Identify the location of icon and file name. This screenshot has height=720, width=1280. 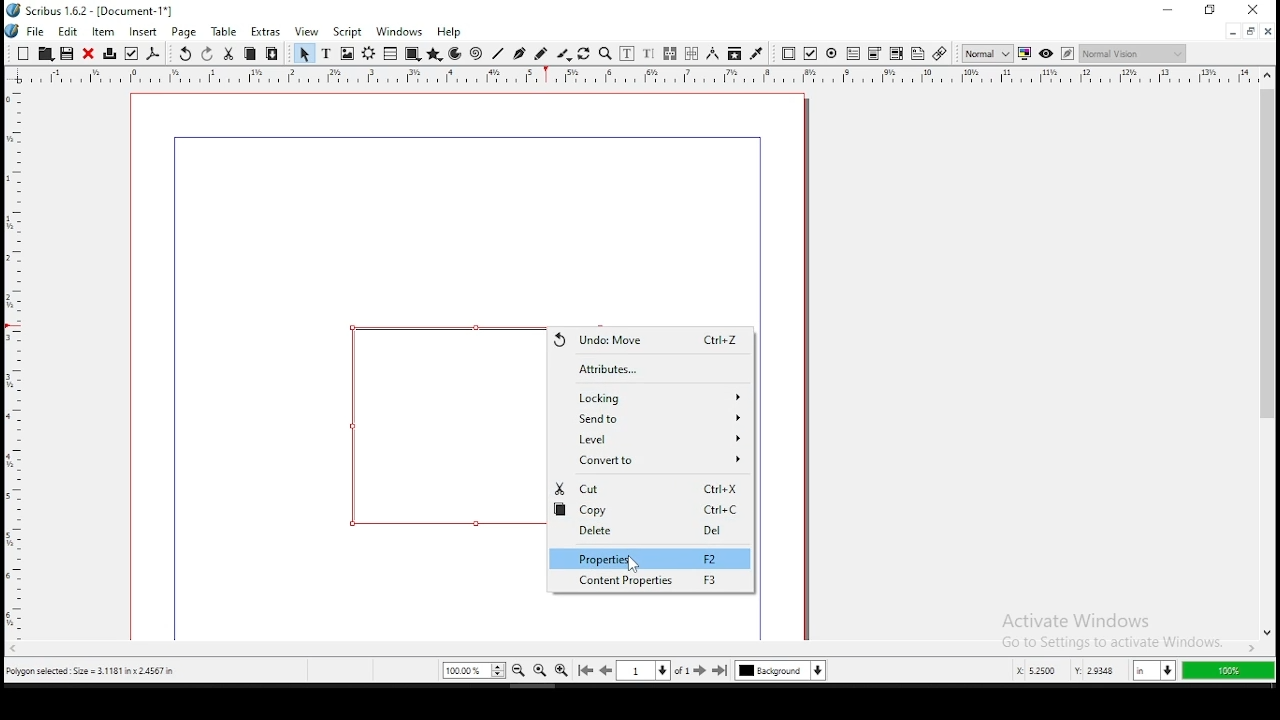
(91, 11).